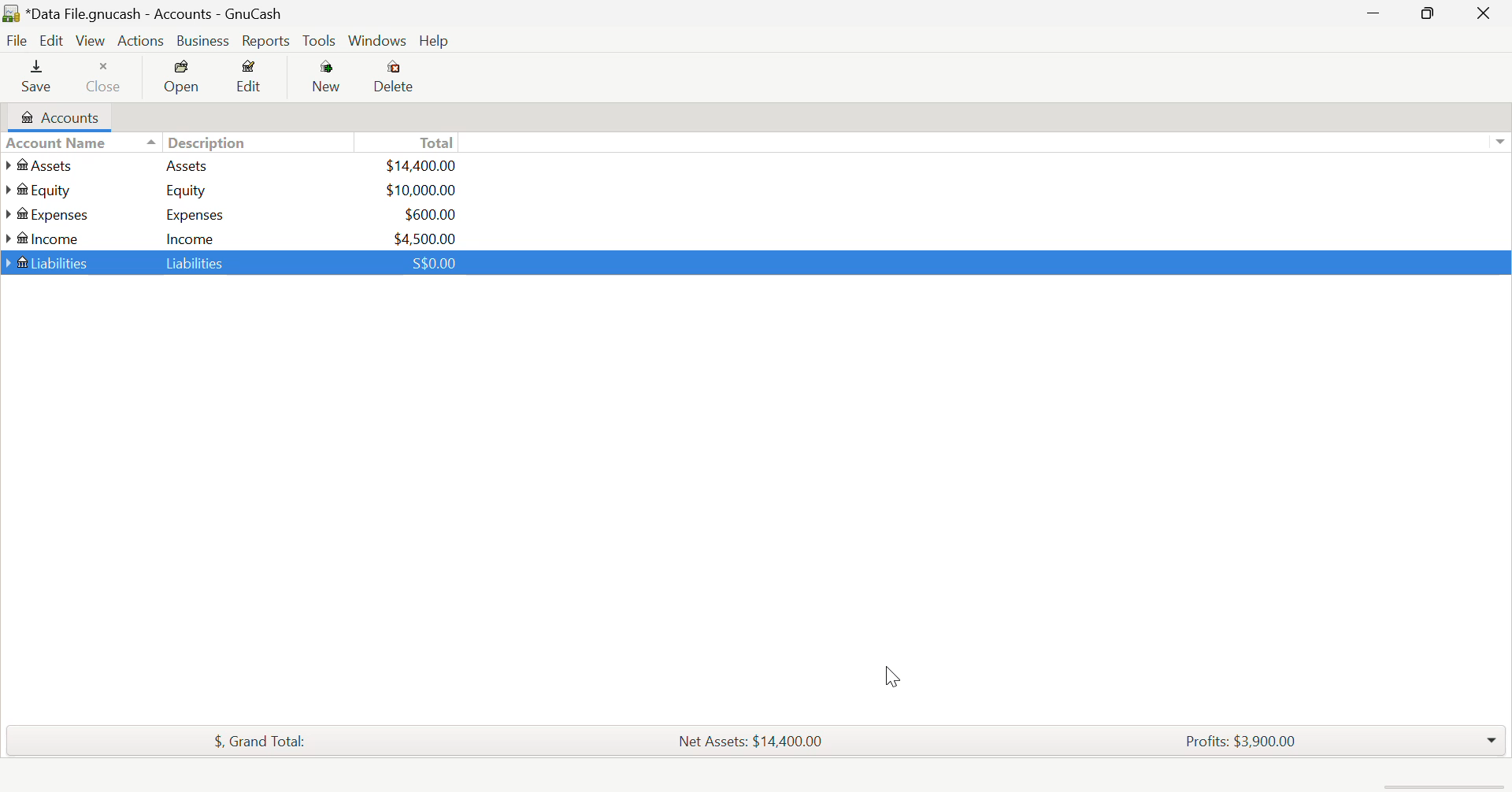  What do you see at coordinates (139, 41) in the screenshot?
I see `Actions` at bounding box center [139, 41].